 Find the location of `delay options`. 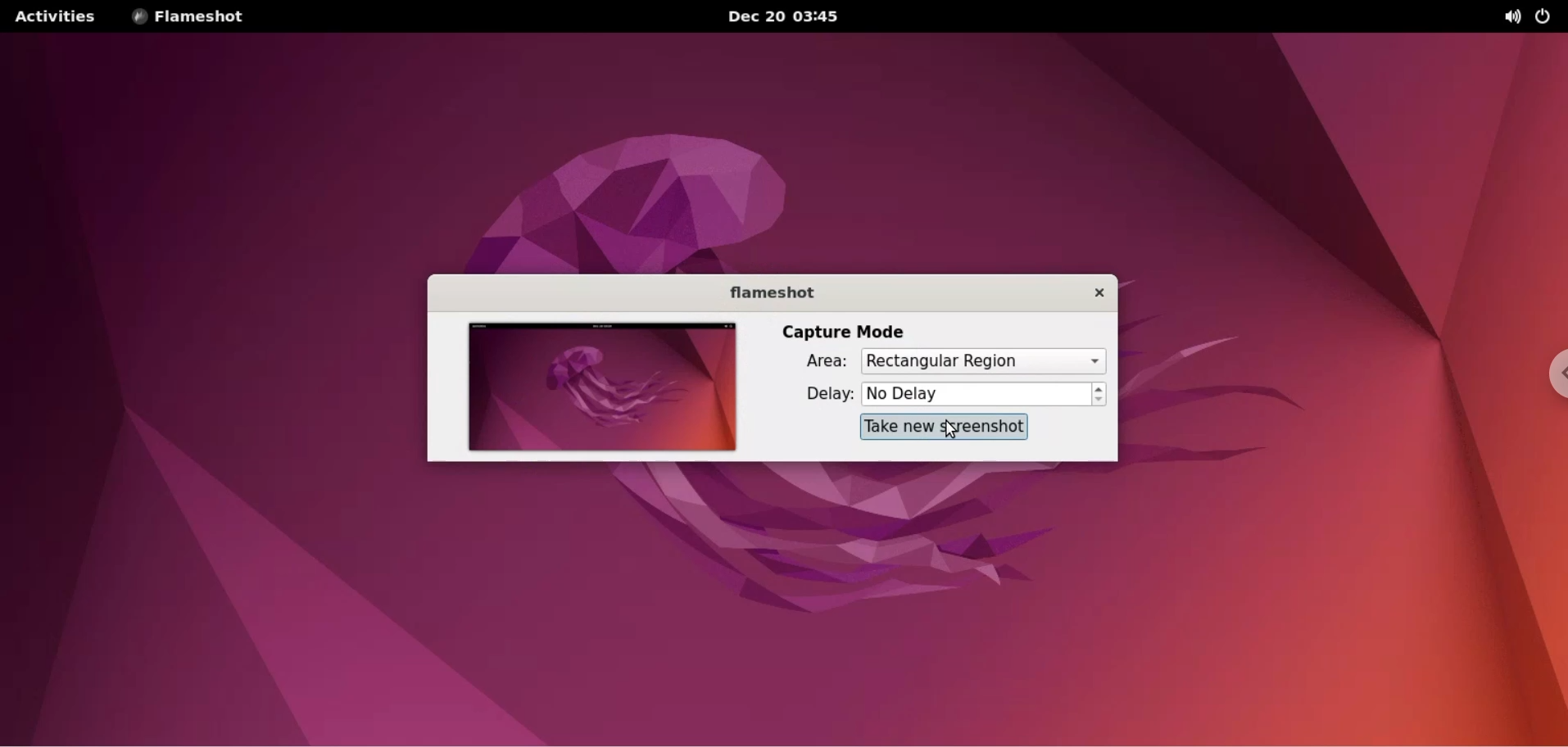

delay options is located at coordinates (975, 393).